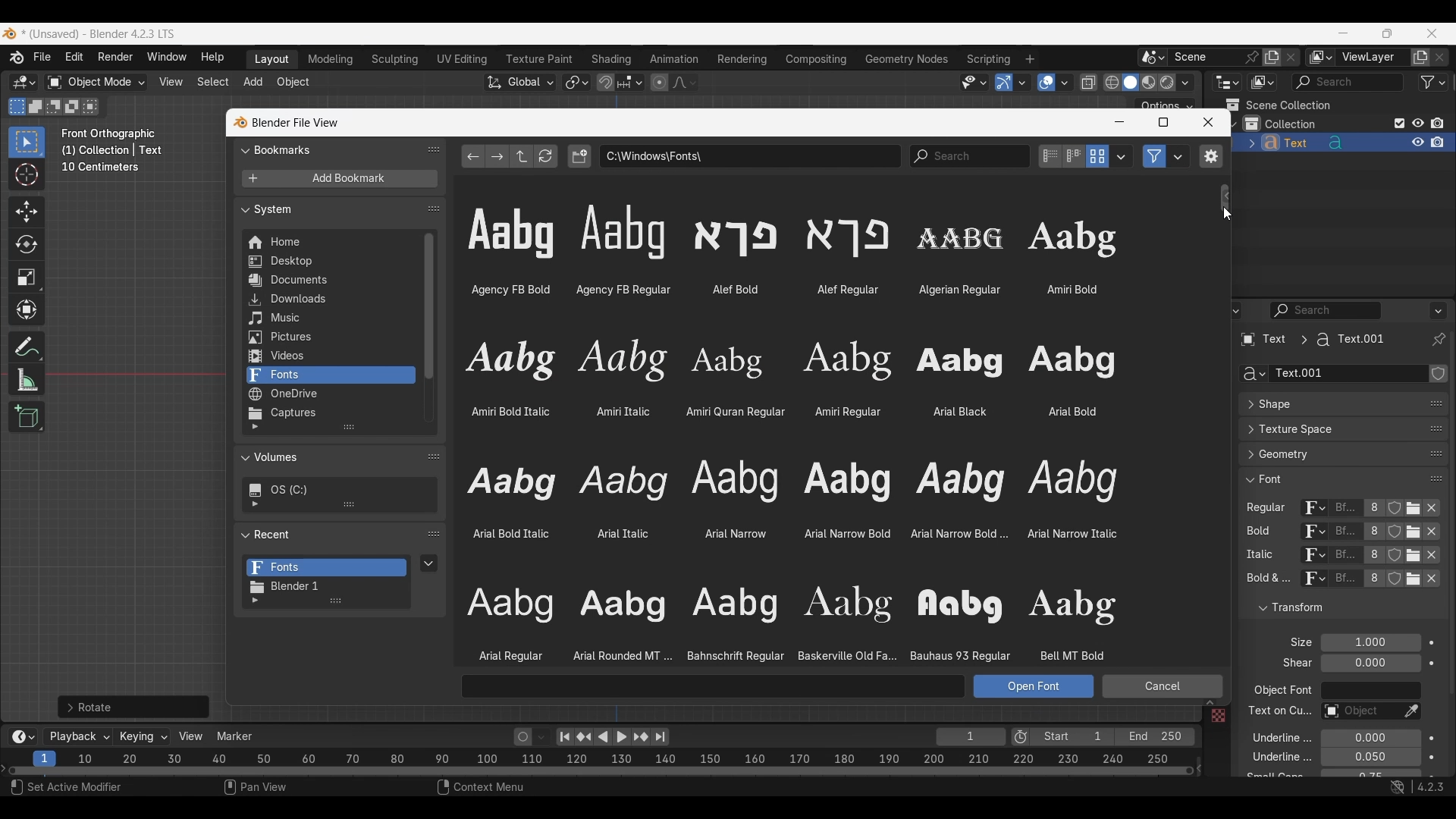  I want to click on select, so click(93, 106).